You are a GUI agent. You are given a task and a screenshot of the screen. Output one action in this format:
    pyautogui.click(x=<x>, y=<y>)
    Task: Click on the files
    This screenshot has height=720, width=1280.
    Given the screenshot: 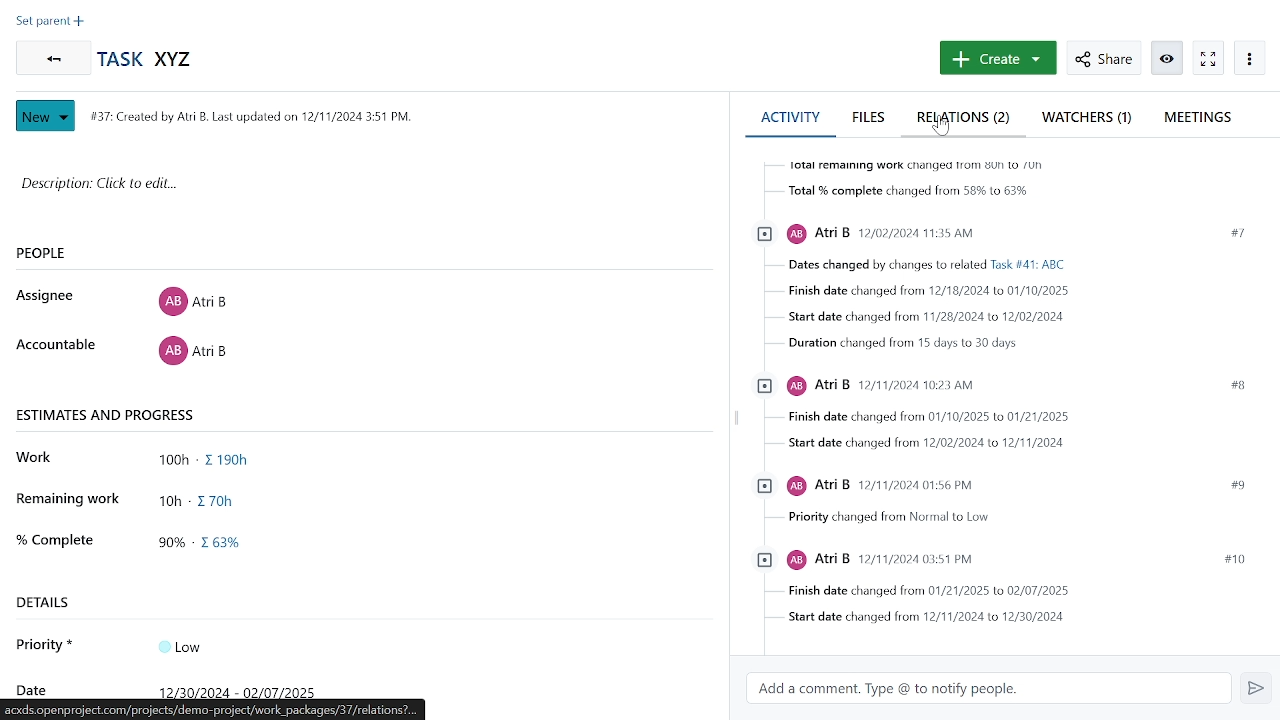 What is the action you would take?
    pyautogui.click(x=871, y=117)
    